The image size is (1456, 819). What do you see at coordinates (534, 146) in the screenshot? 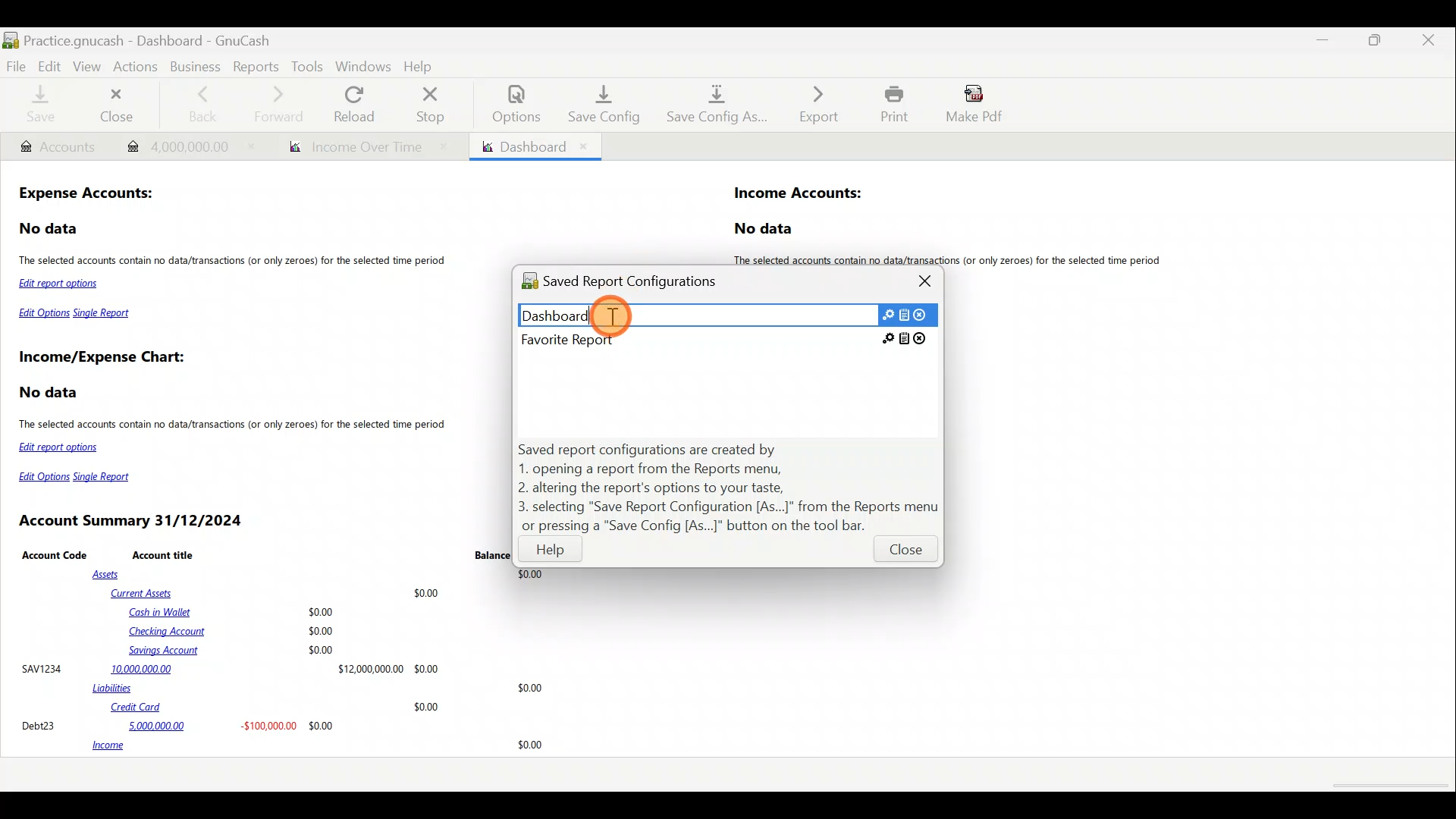
I see `Dashboard` at bounding box center [534, 146].